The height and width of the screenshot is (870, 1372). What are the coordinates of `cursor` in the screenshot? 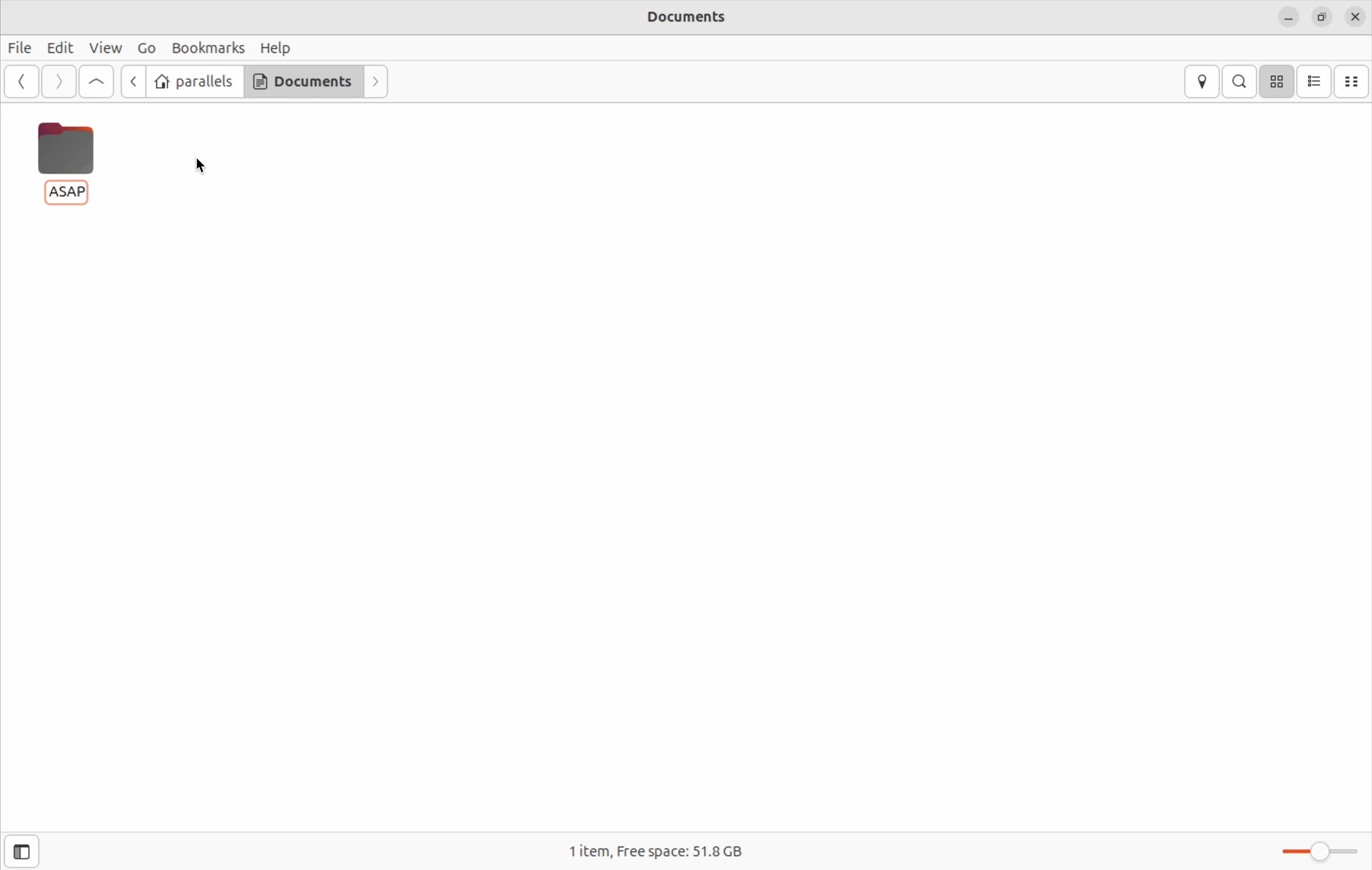 It's located at (201, 166).